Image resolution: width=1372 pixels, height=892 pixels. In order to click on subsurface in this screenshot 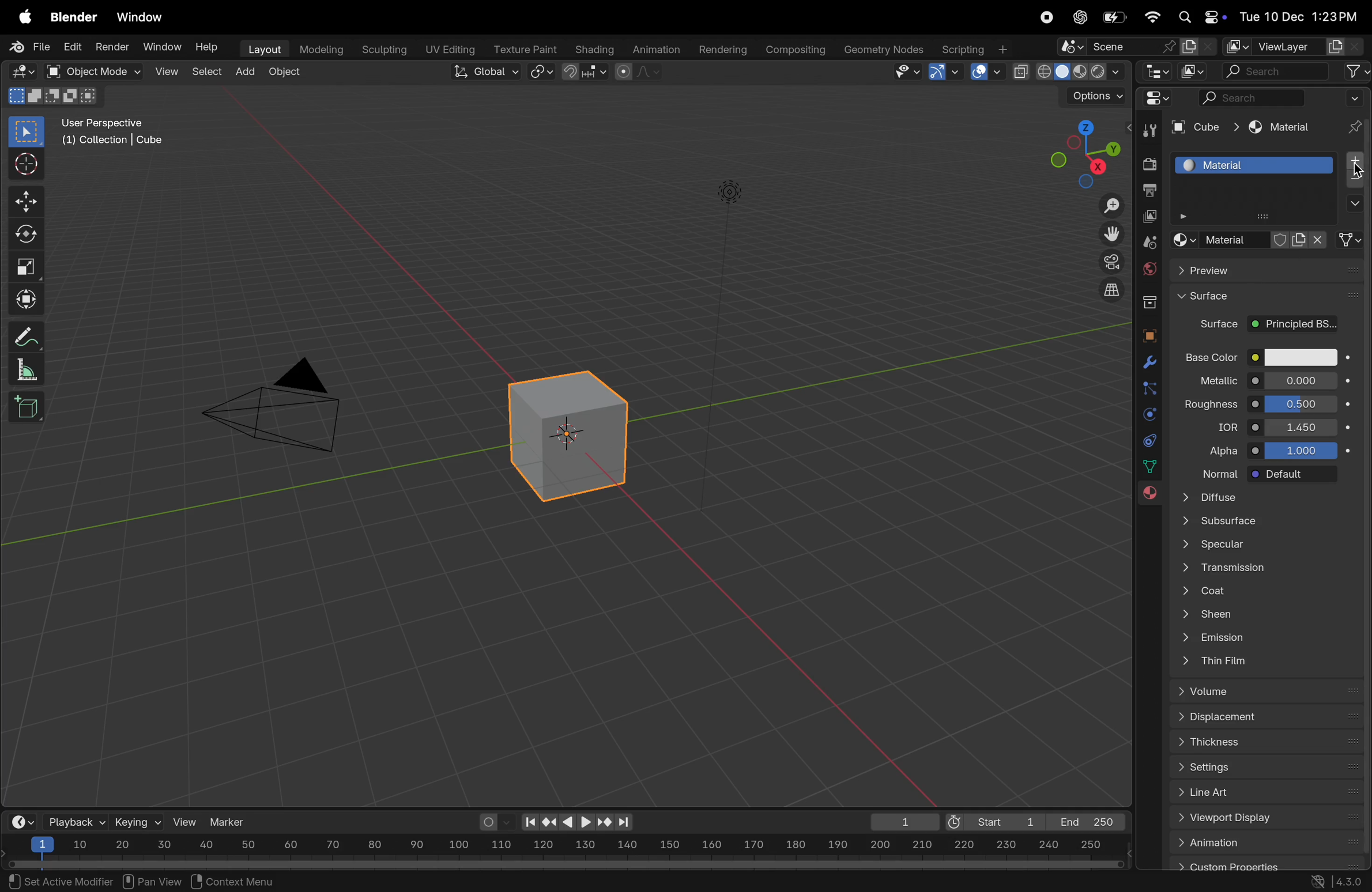, I will do `click(1269, 520)`.